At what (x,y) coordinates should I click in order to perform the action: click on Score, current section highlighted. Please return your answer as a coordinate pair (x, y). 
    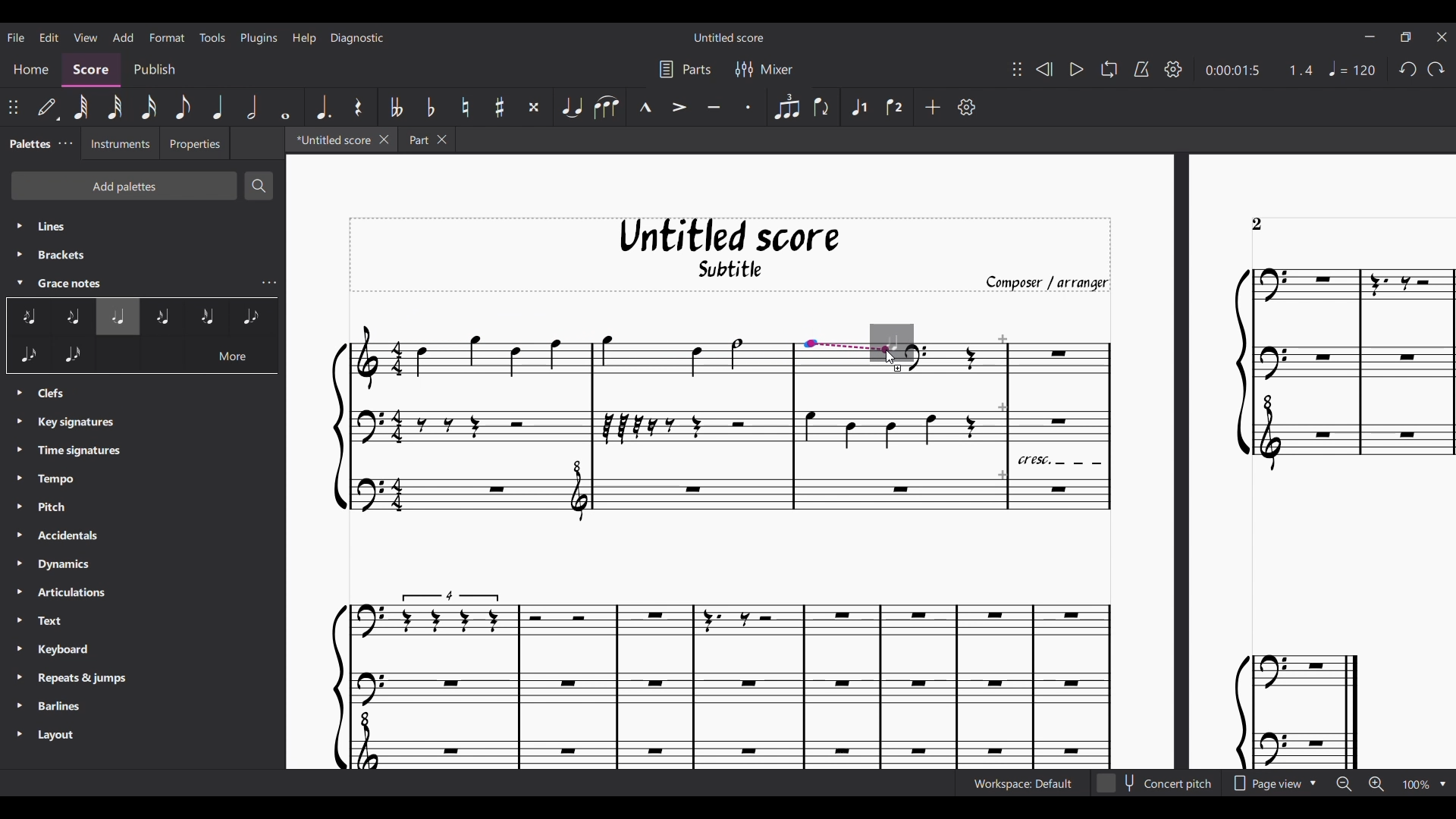
    Looking at the image, I should click on (90, 71).